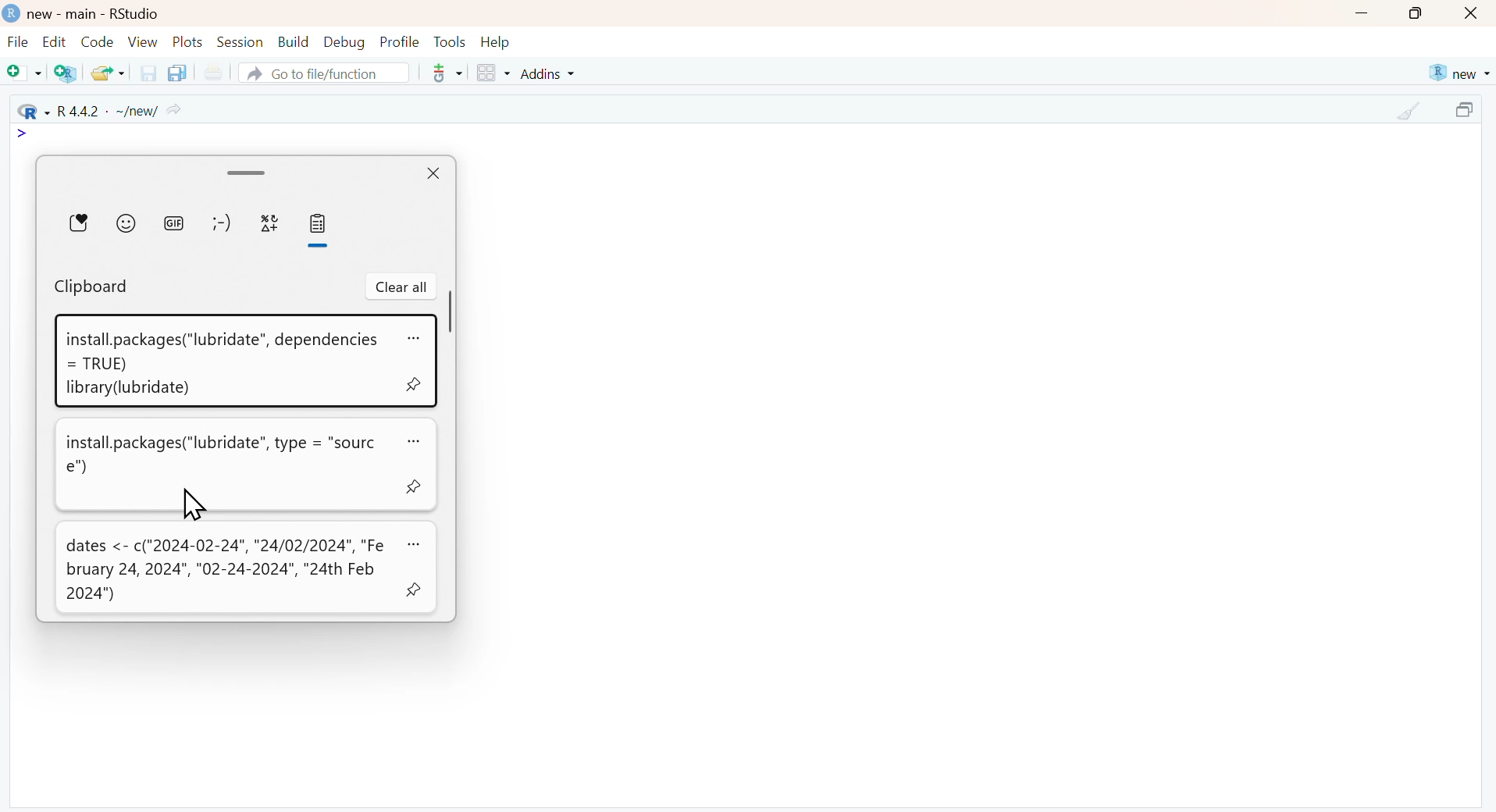 The image size is (1496, 812). Describe the element at coordinates (1458, 73) in the screenshot. I see `new` at that location.